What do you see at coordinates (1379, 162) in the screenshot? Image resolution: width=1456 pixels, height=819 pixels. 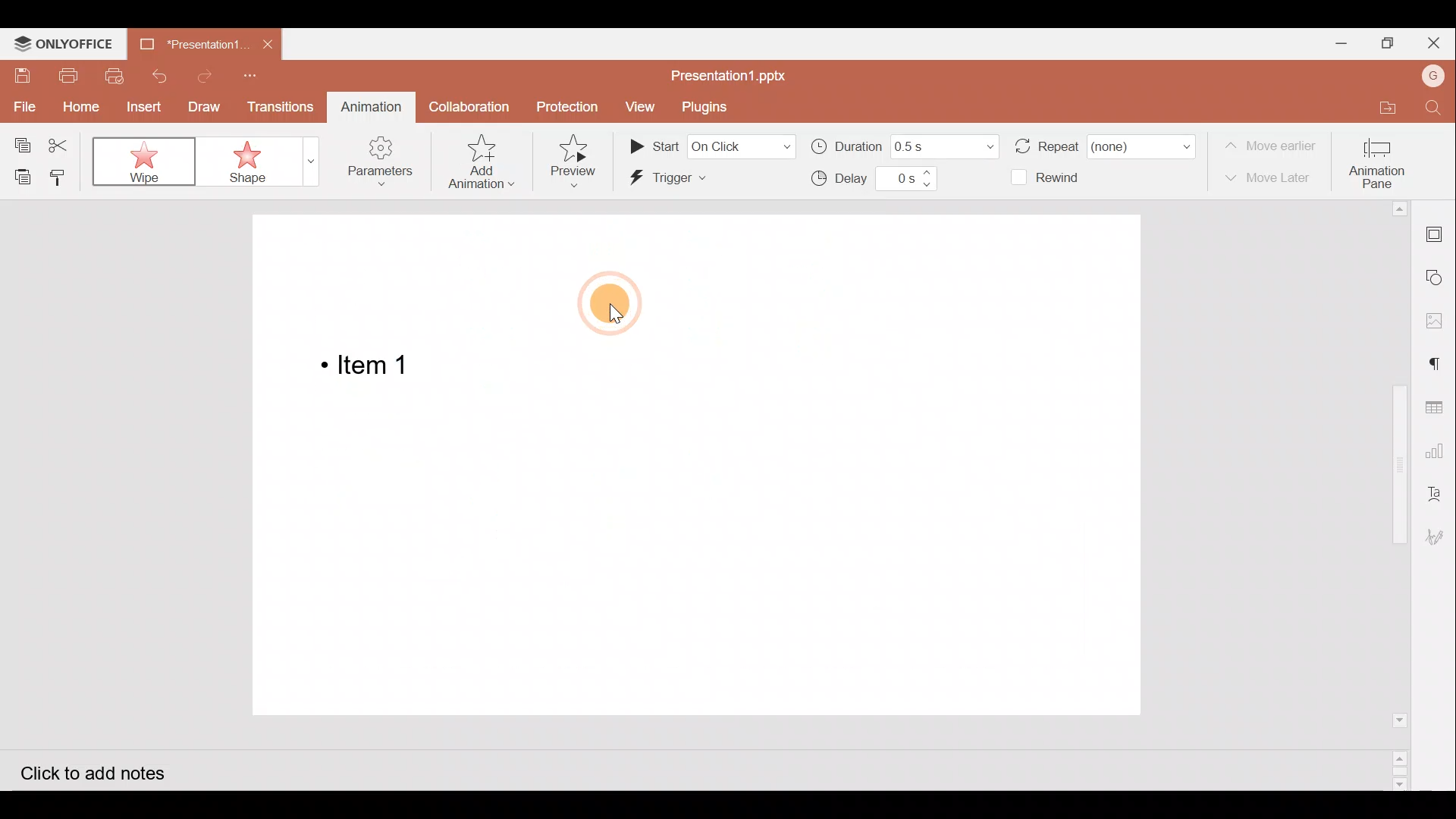 I see `Animation pane` at bounding box center [1379, 162].